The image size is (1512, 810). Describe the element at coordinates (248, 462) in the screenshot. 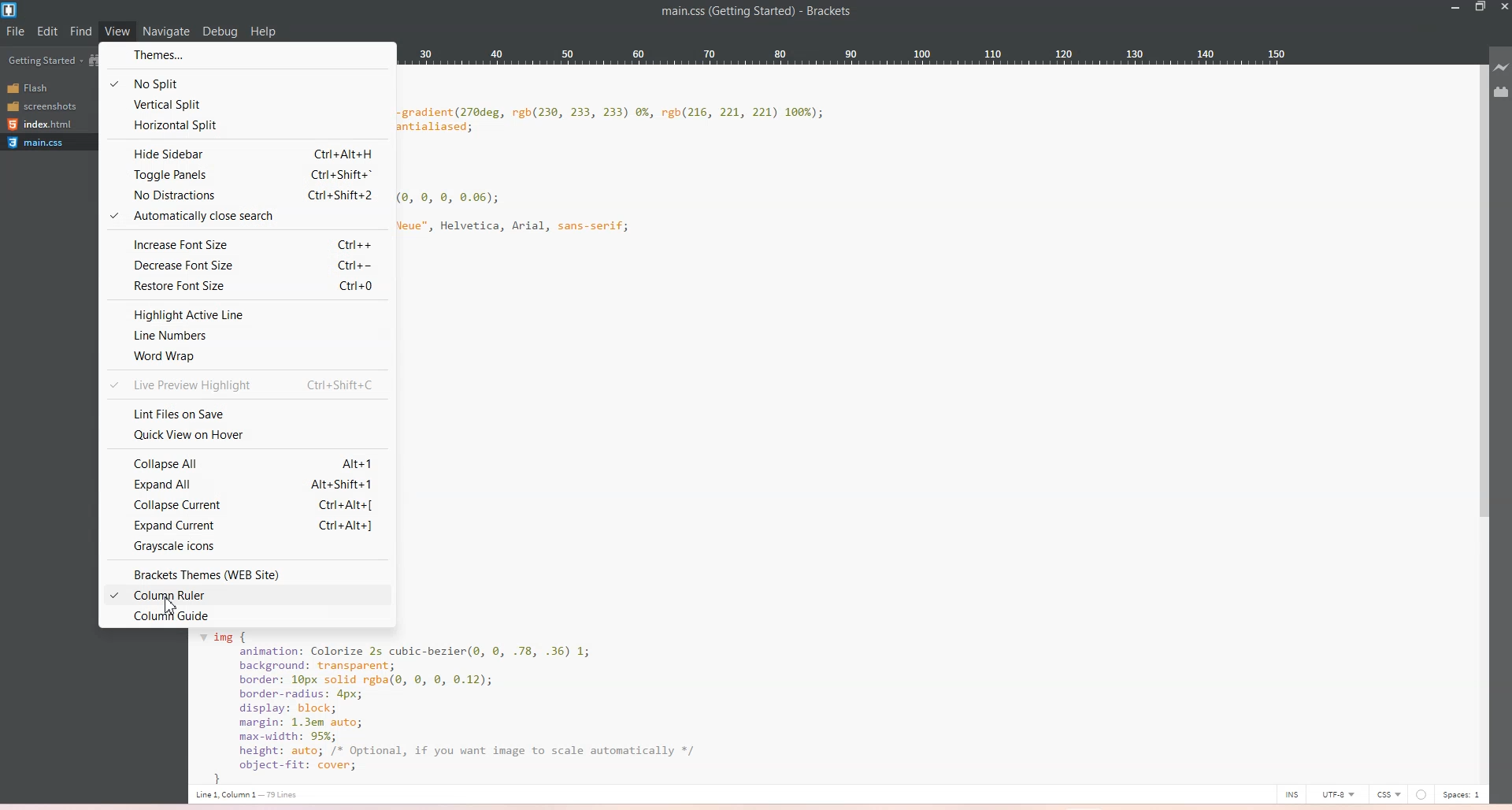

I see `Collapse All` at that location.